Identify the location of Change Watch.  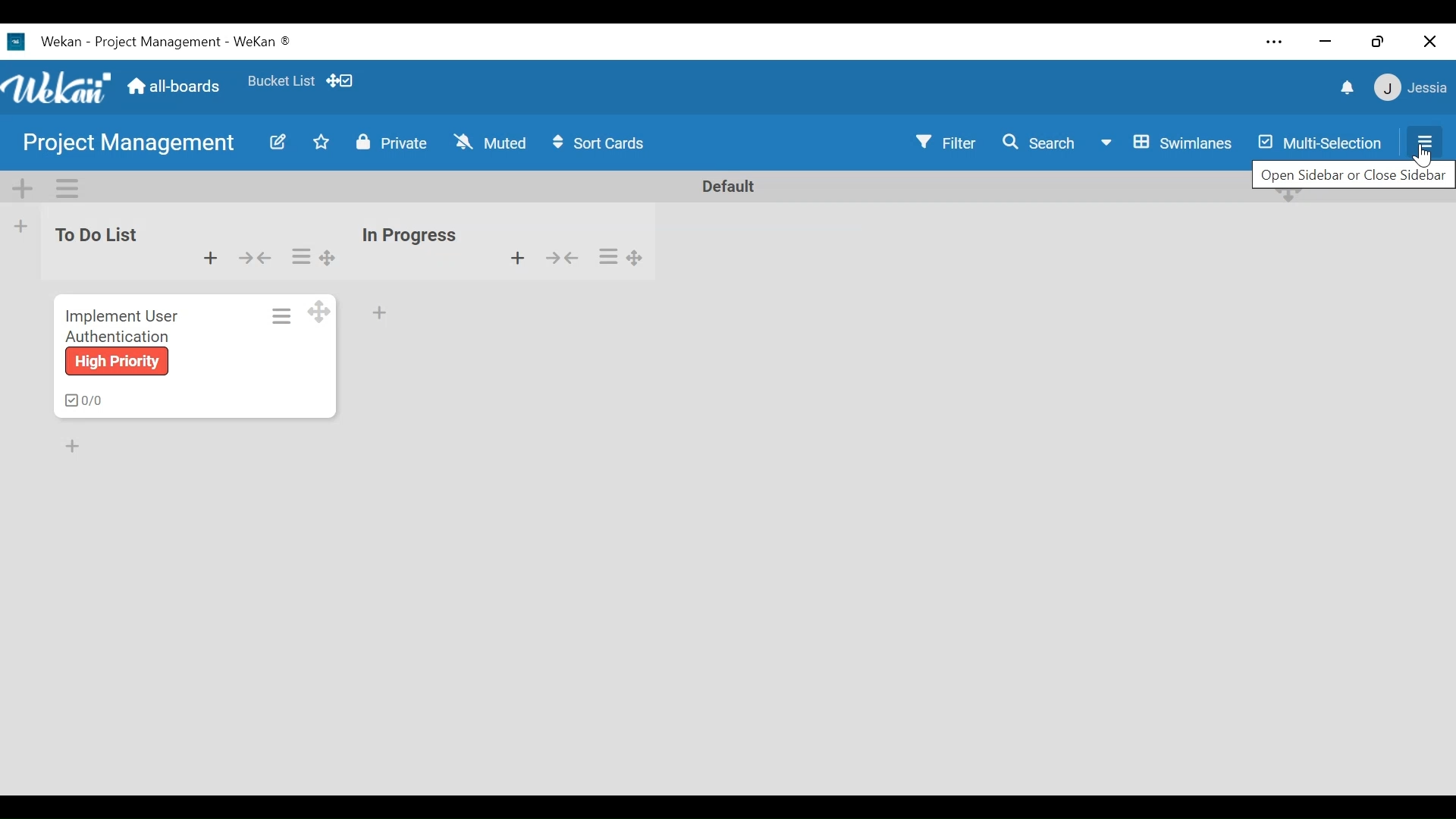
(491, 141).